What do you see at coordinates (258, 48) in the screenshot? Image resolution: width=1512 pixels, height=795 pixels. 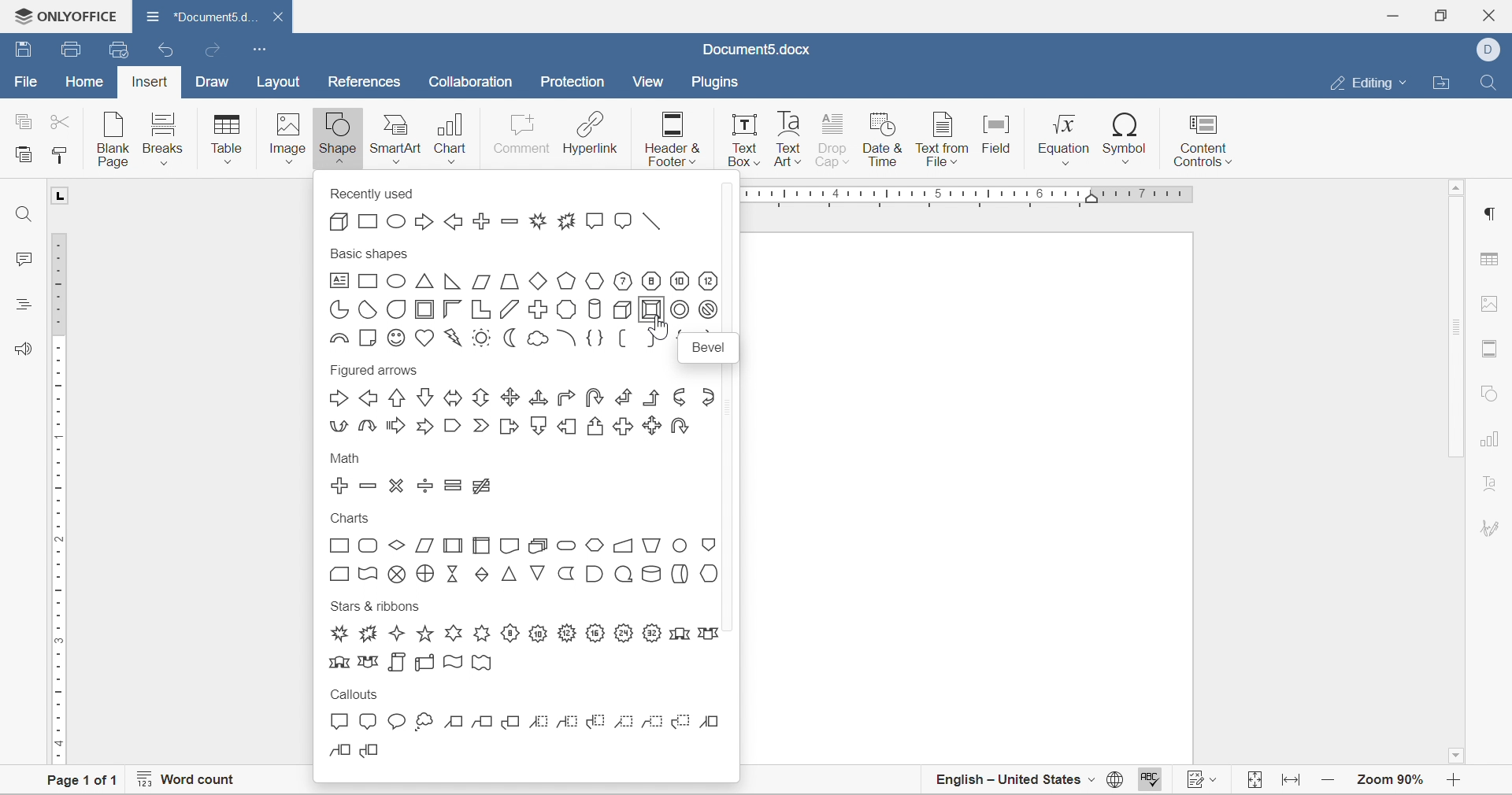 I see `customize quick access toolbar` at bounding box center [258, 48].